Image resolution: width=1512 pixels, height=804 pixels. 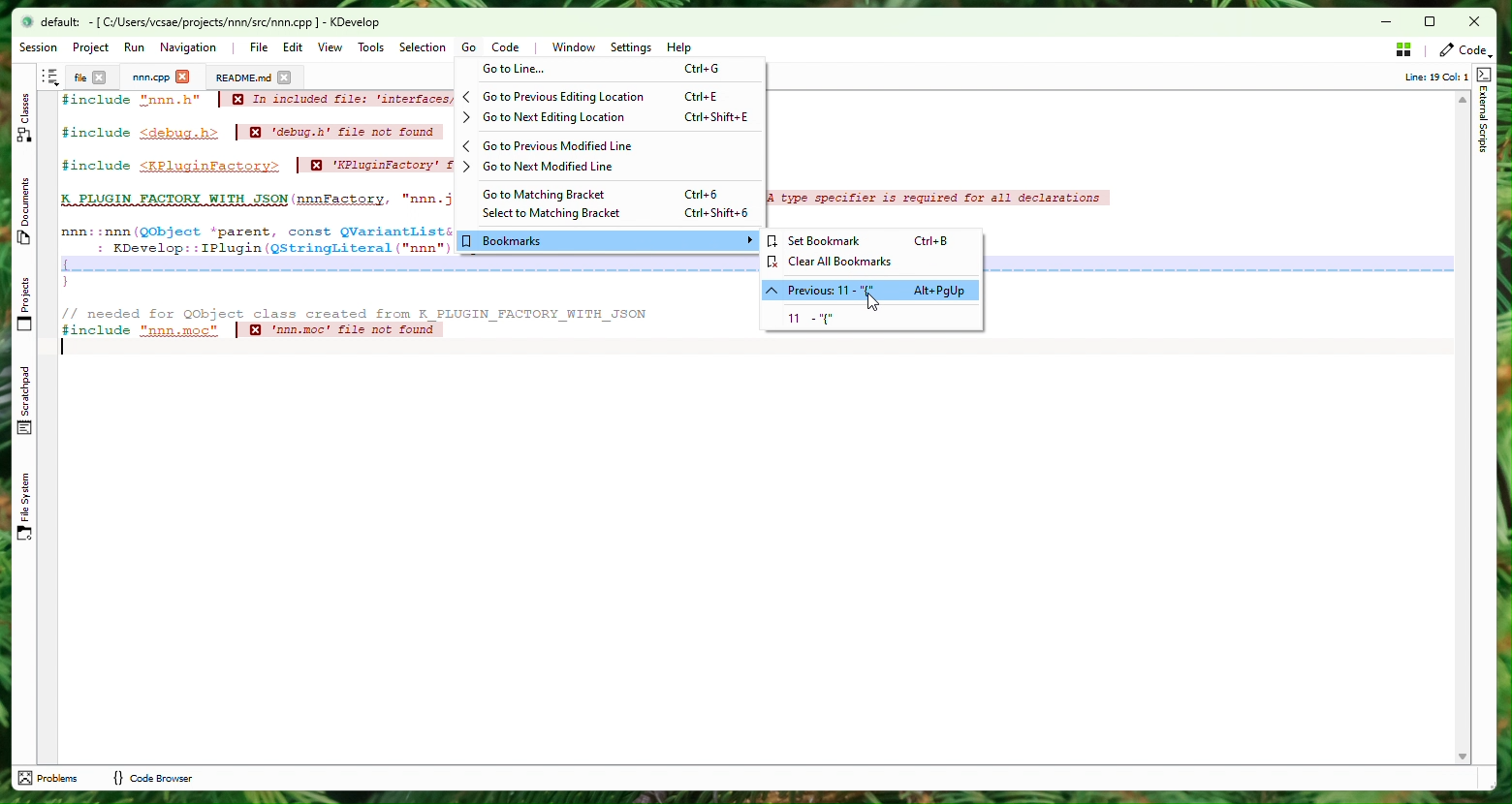 What do you see at coordinates (870, 263) in the screenshot?
I see `Clear all bookmarks` at bounding box center [870, 263].